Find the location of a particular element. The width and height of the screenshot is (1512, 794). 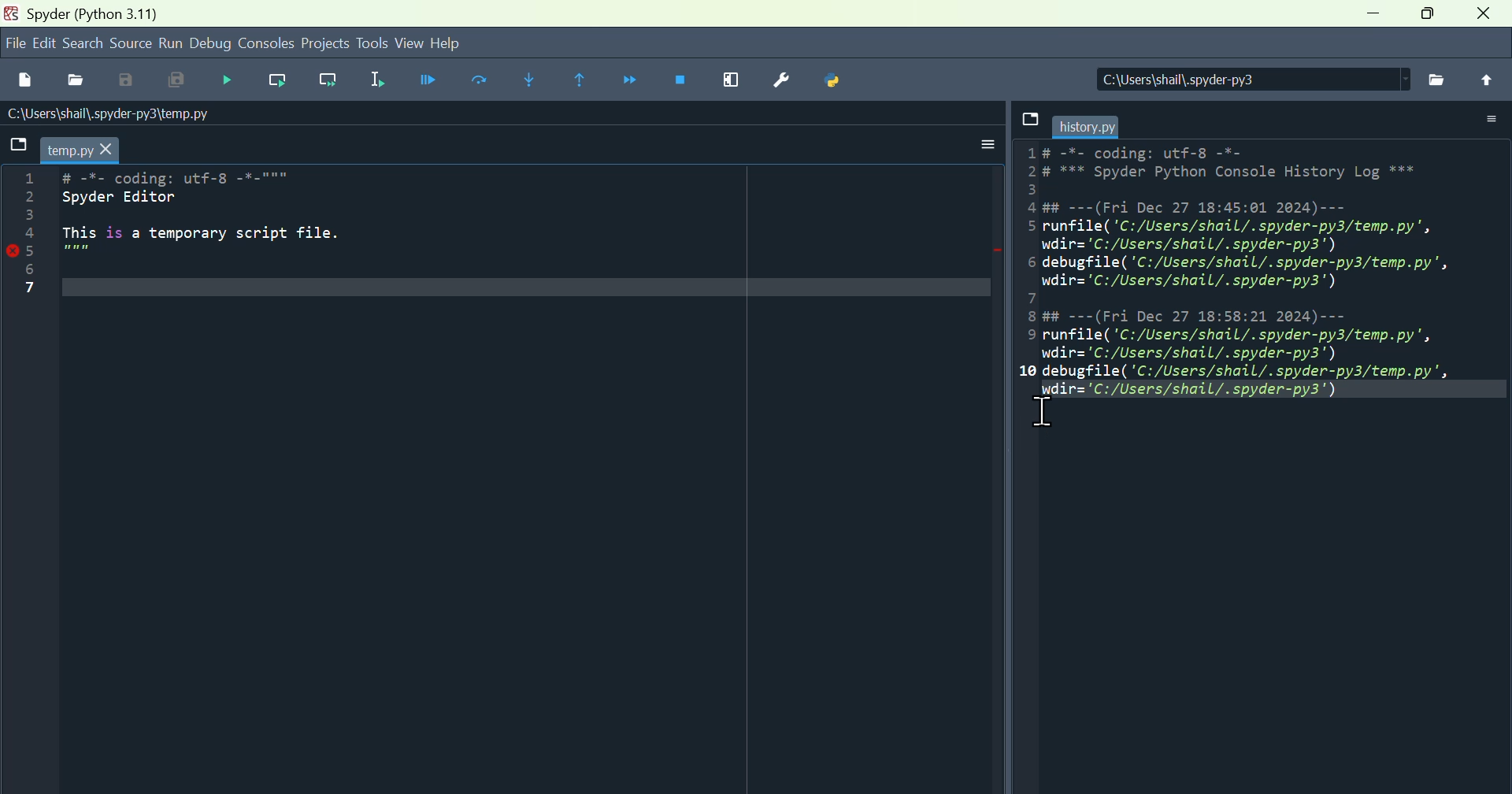

Stop debugging is located at coordinates (689, 80).